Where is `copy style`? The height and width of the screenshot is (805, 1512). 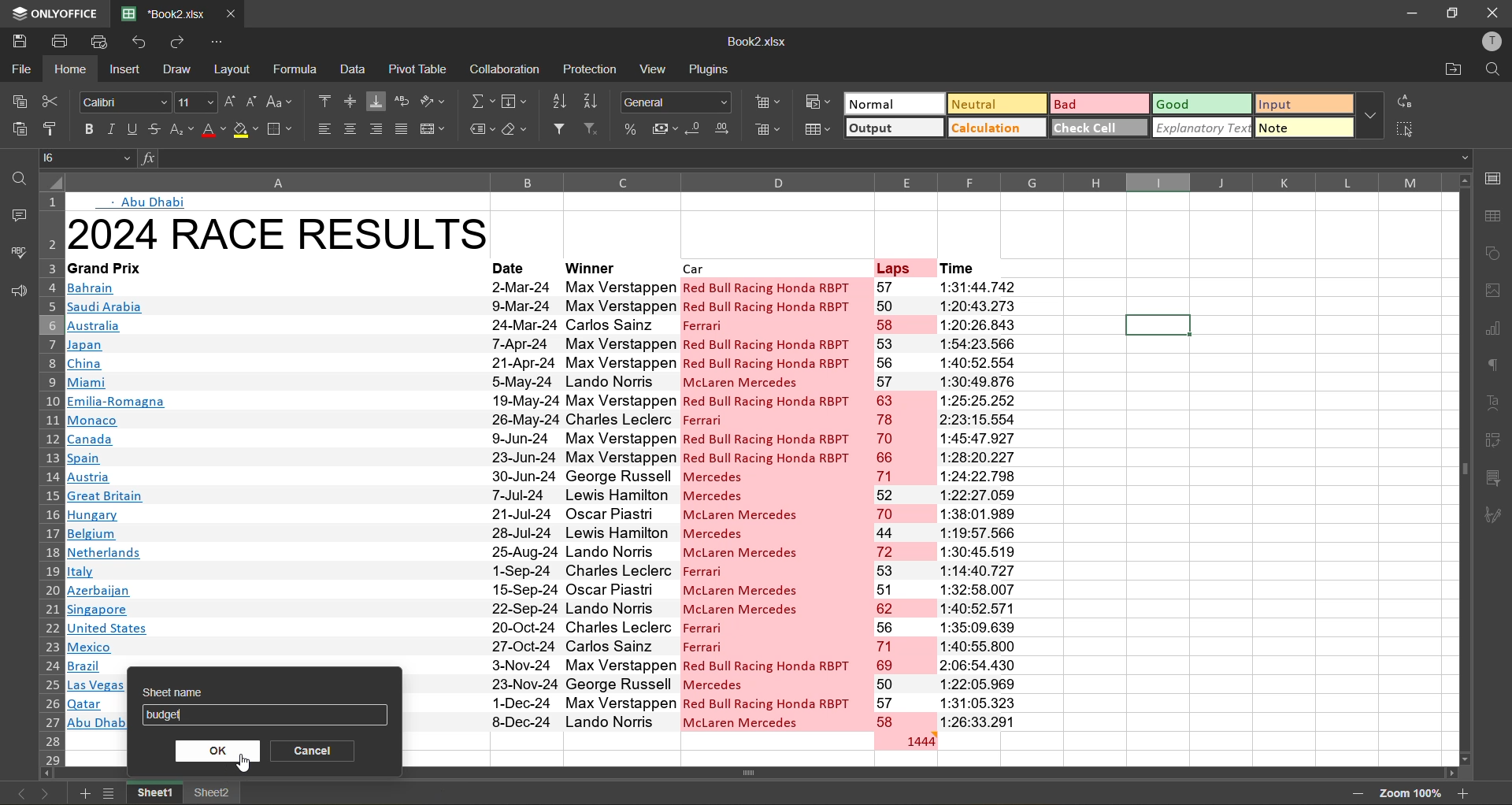 copy style is located at coordinates (53, 130).